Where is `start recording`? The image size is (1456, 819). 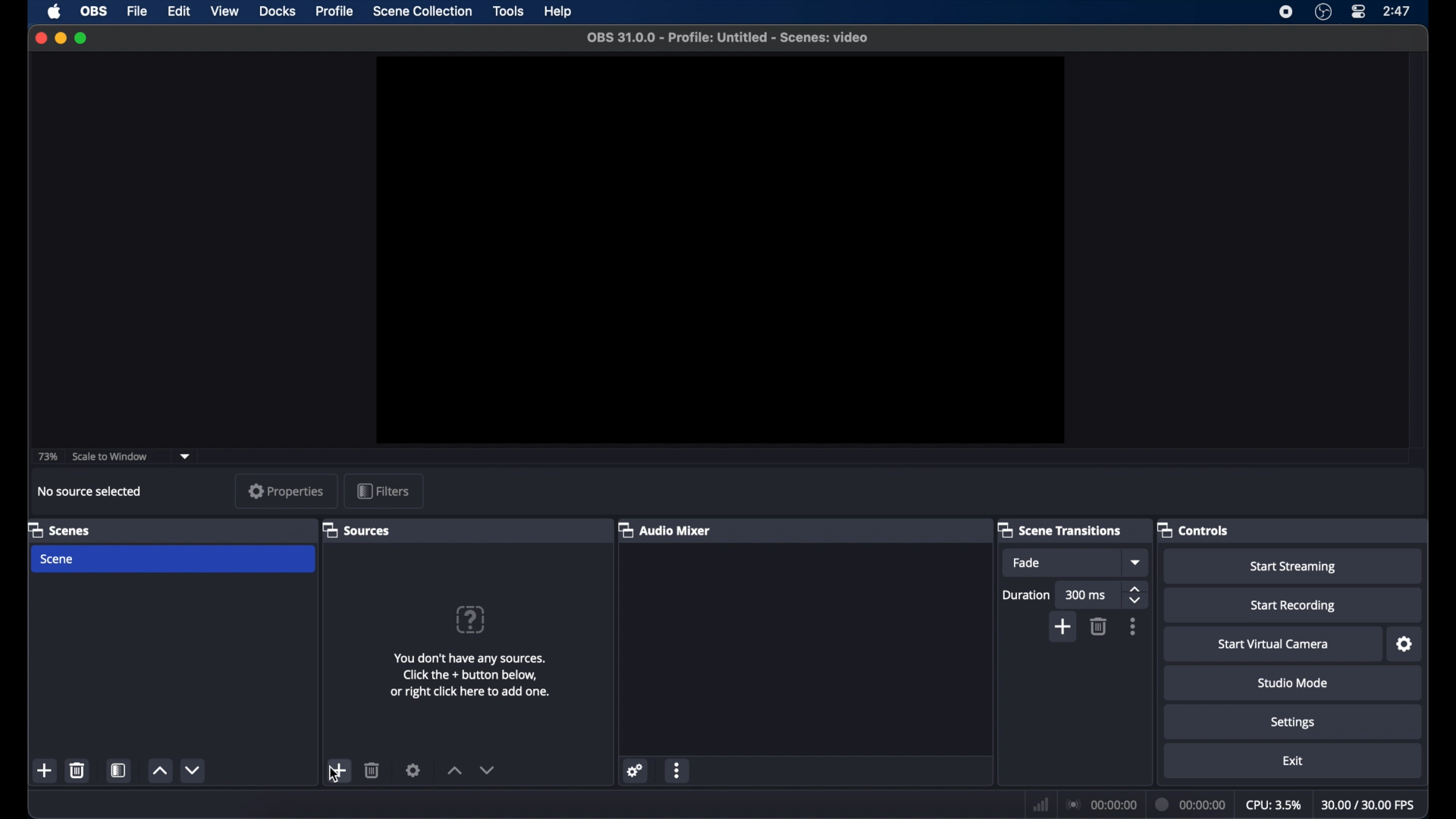 start recording is located at coordinates (1293, 606).